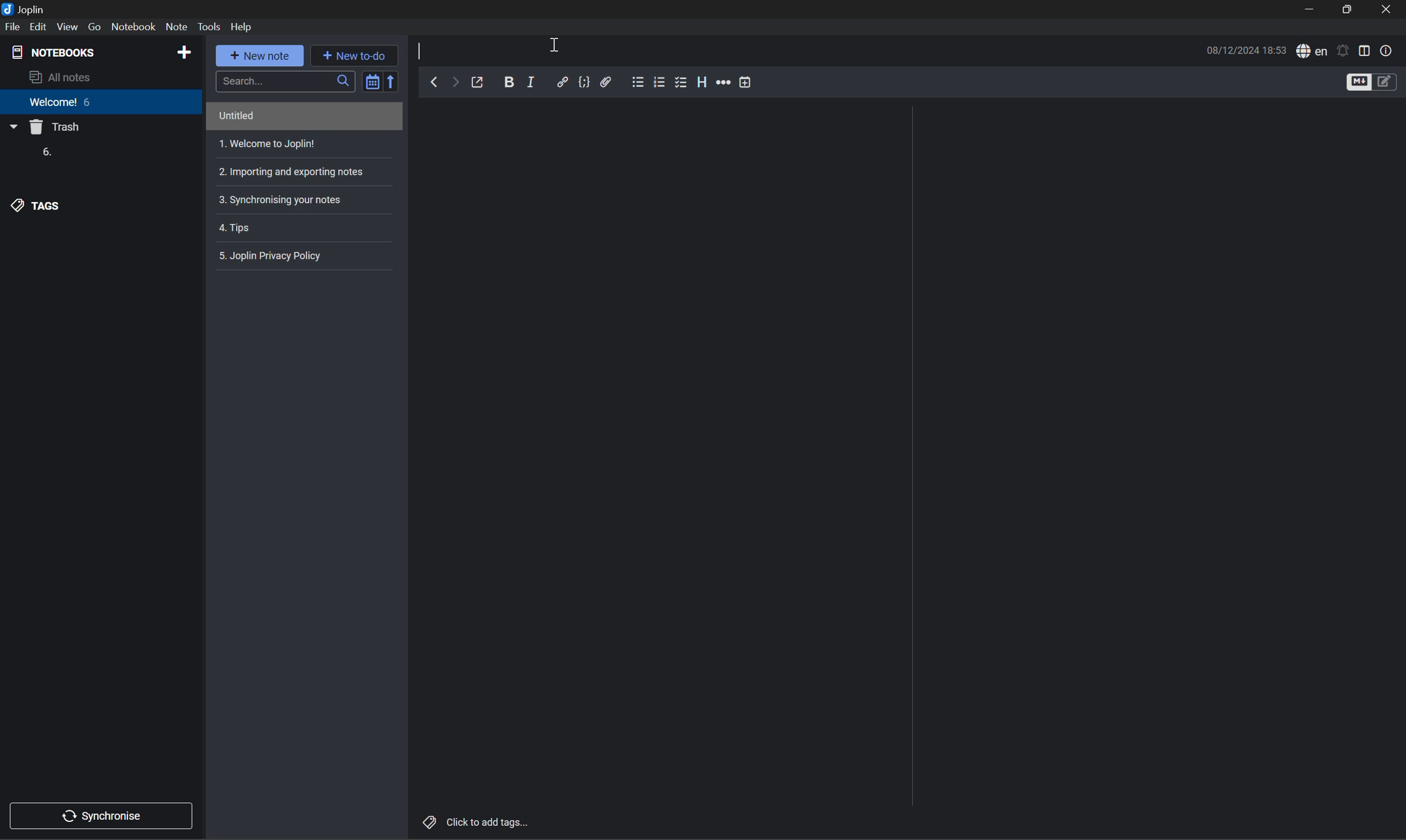 This screenshot has width=1406, height=840. I want to click on Trash, so click(57, 128).